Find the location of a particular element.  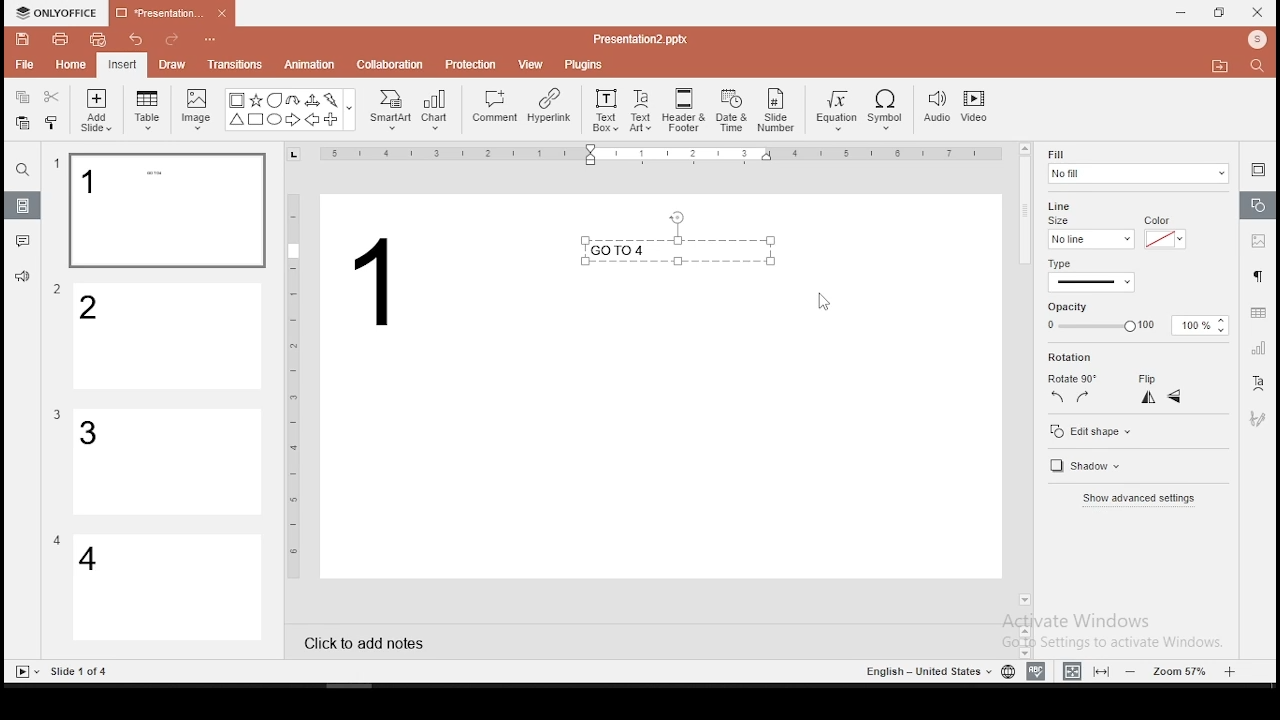

clone formatting is located at coordinates (52, 122).